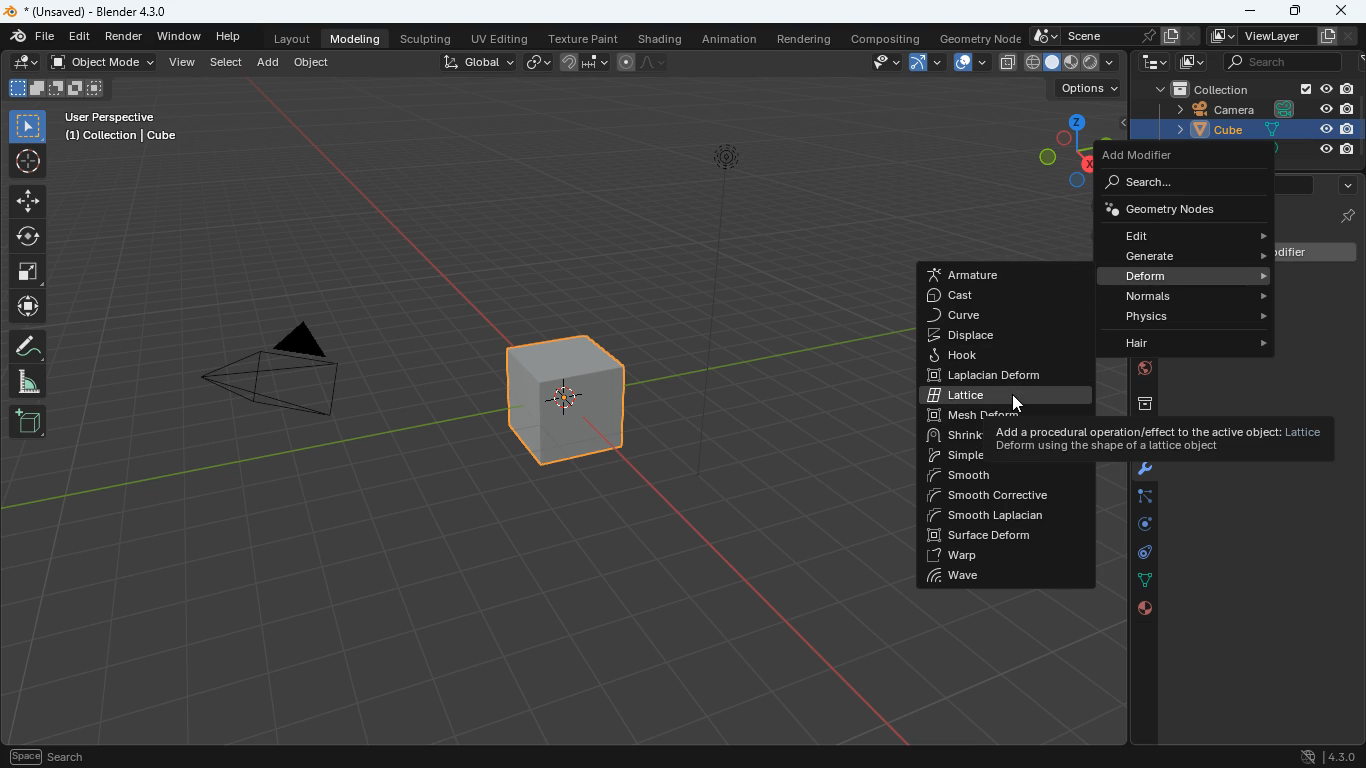 This screenshot has height=768, width=1366. I want to click on camera, so click(1255, 112).